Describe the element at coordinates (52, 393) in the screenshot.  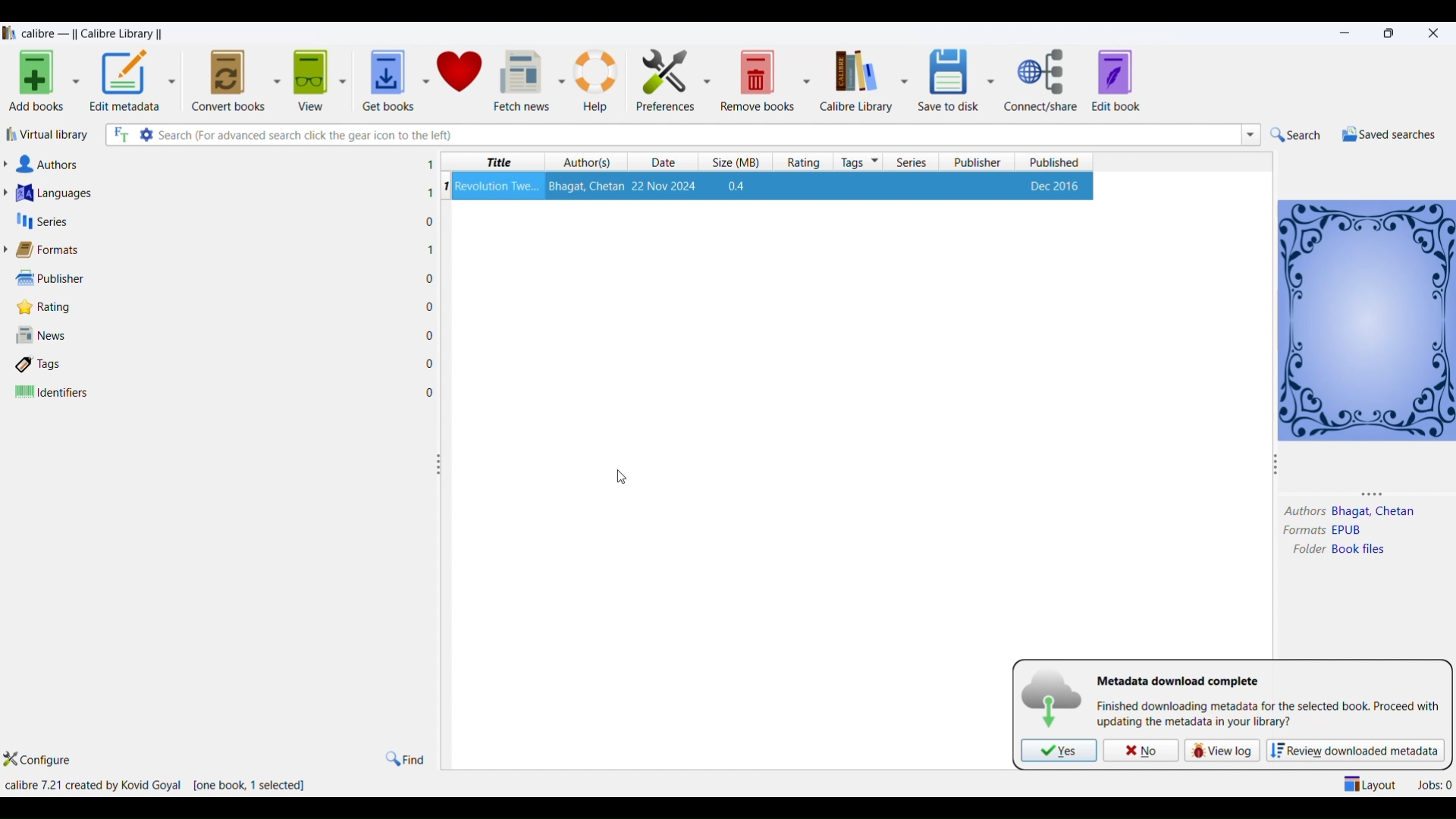
I see `identifiers and number of identifiers` at that location.